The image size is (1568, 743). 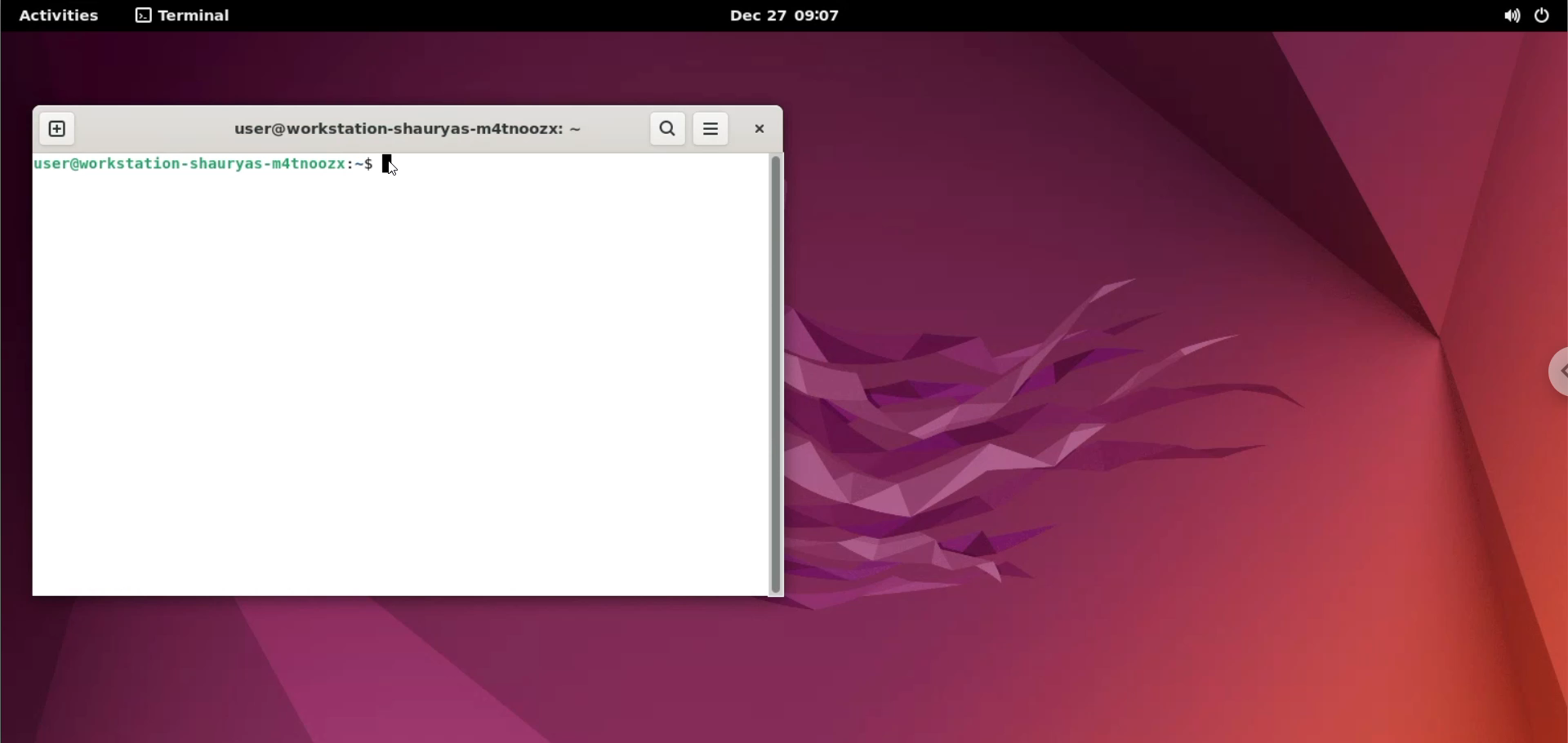 I want to click on user@workstation-shauryas-m4tnoozx:~$, so click(x=204, y=164).